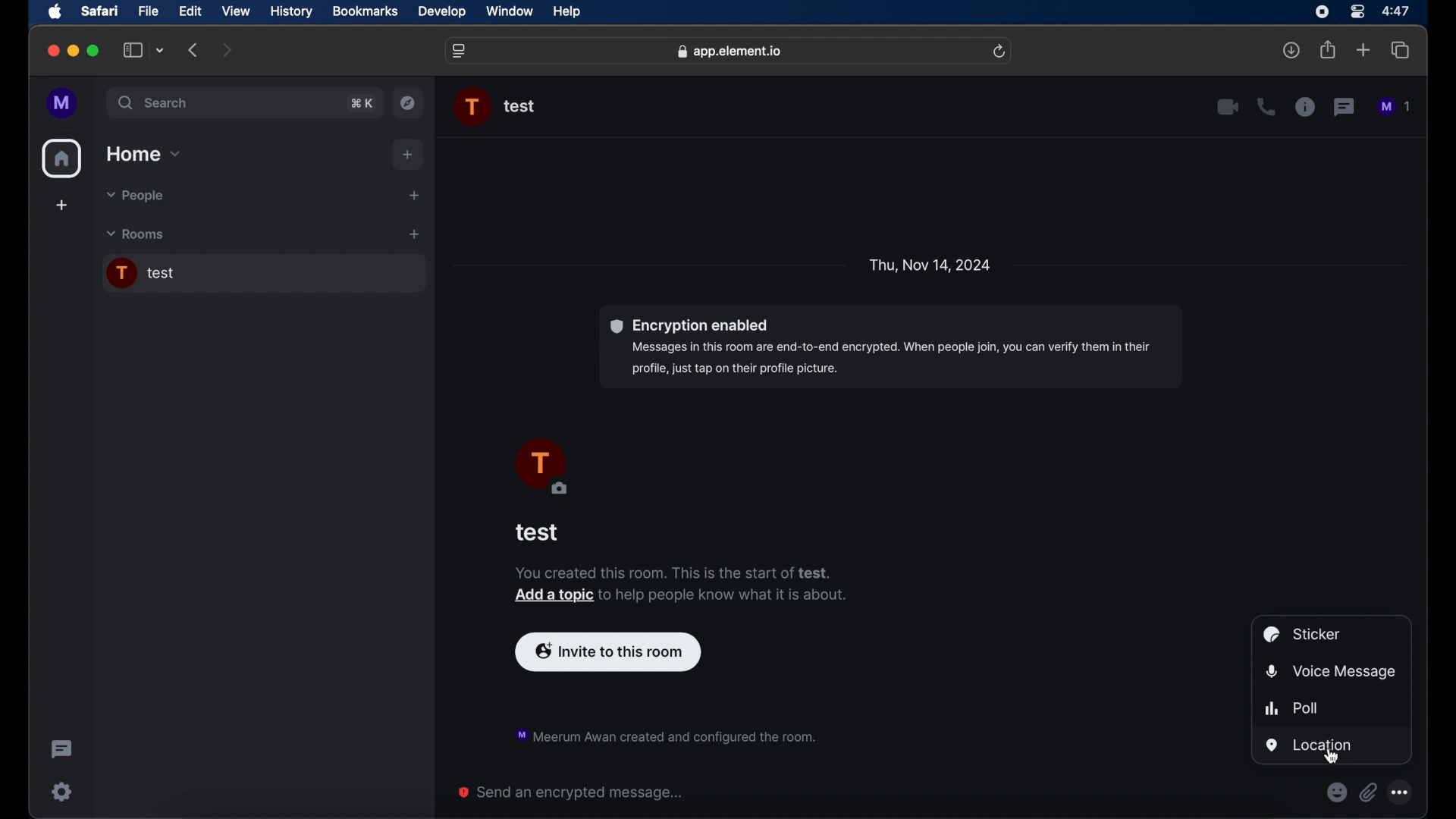  Describe the element at coordinates (52, 51) in the screenshot. I see `close` at that location.